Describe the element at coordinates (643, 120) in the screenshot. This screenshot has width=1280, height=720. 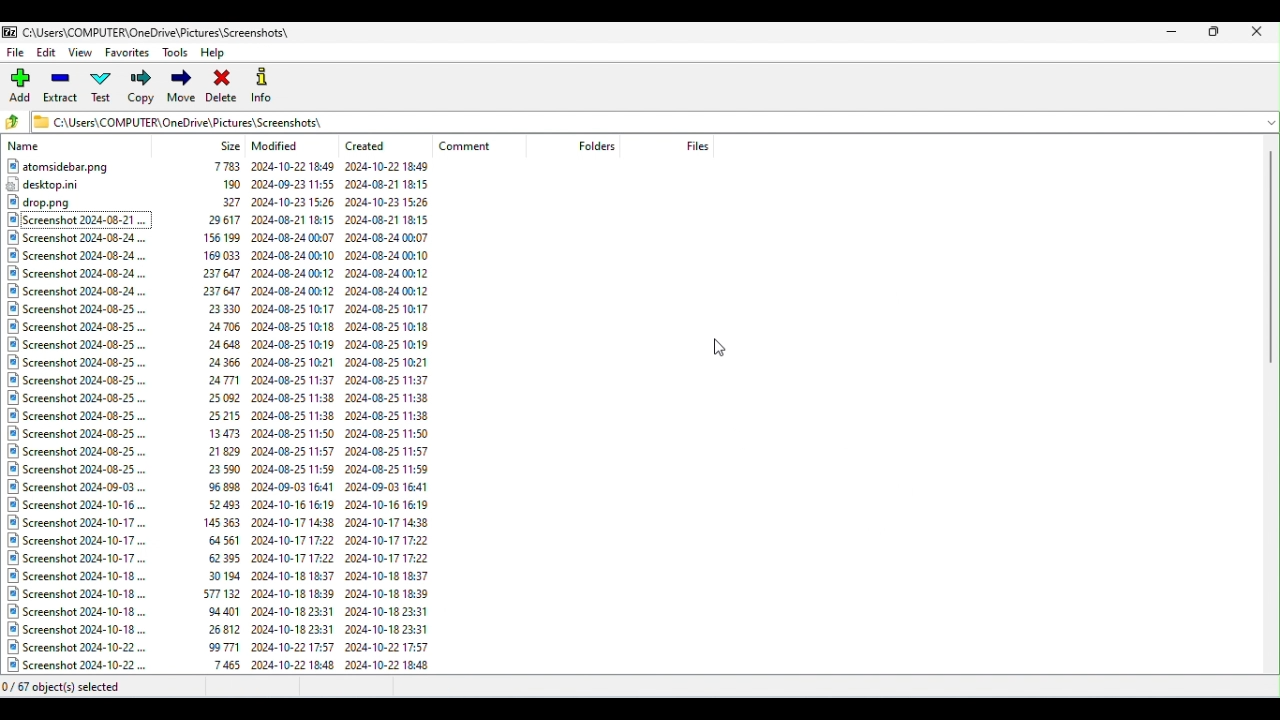
I see `File address bar` at that location.